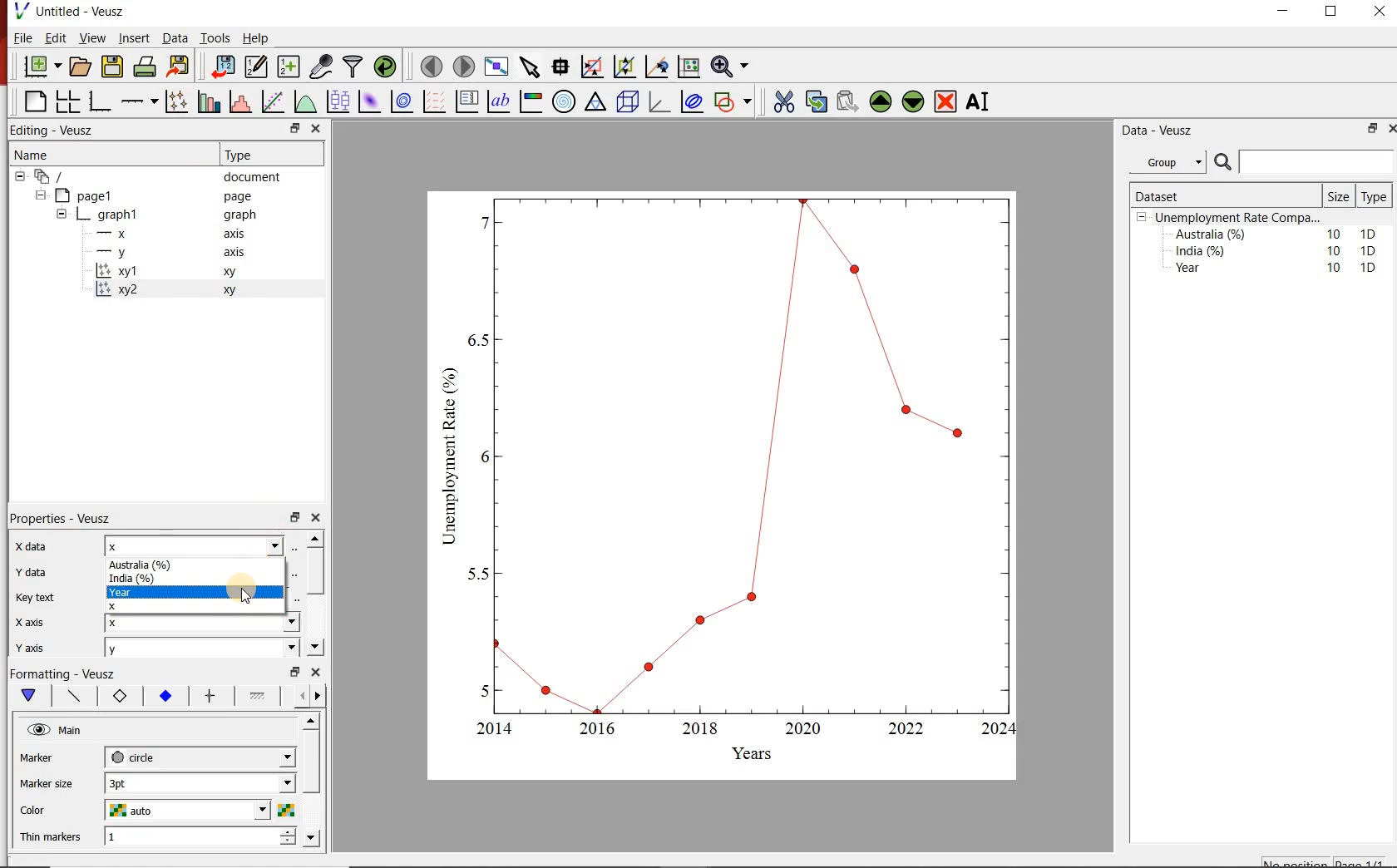 The width and height of the screenshot is (1397, 868). I want to click on plot covariance ellipses, so click(693, 101).